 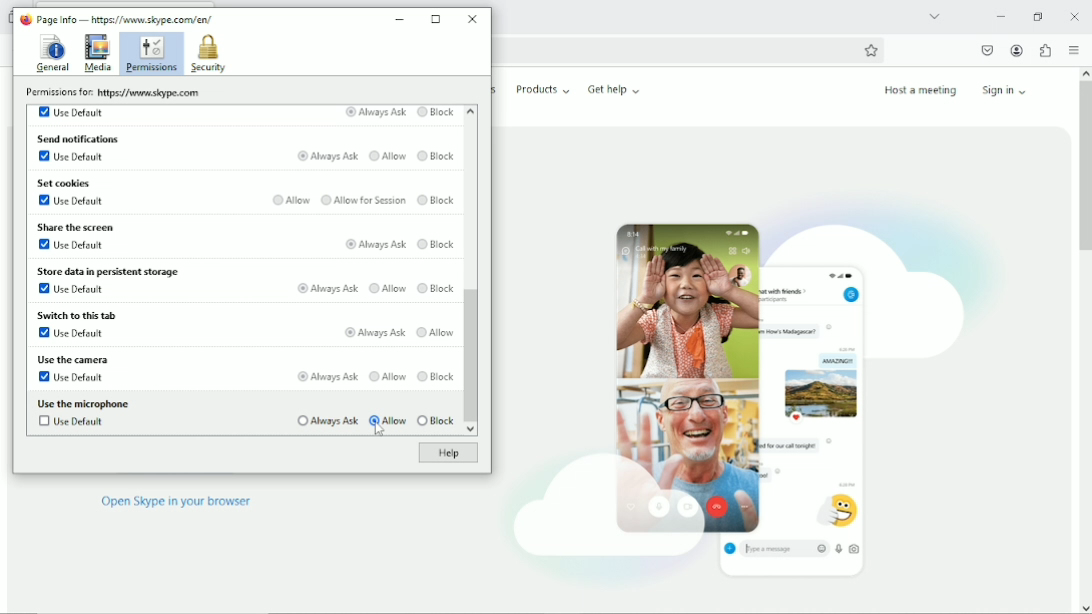 I want to click on scroll down, so click(x=1085, y=607).